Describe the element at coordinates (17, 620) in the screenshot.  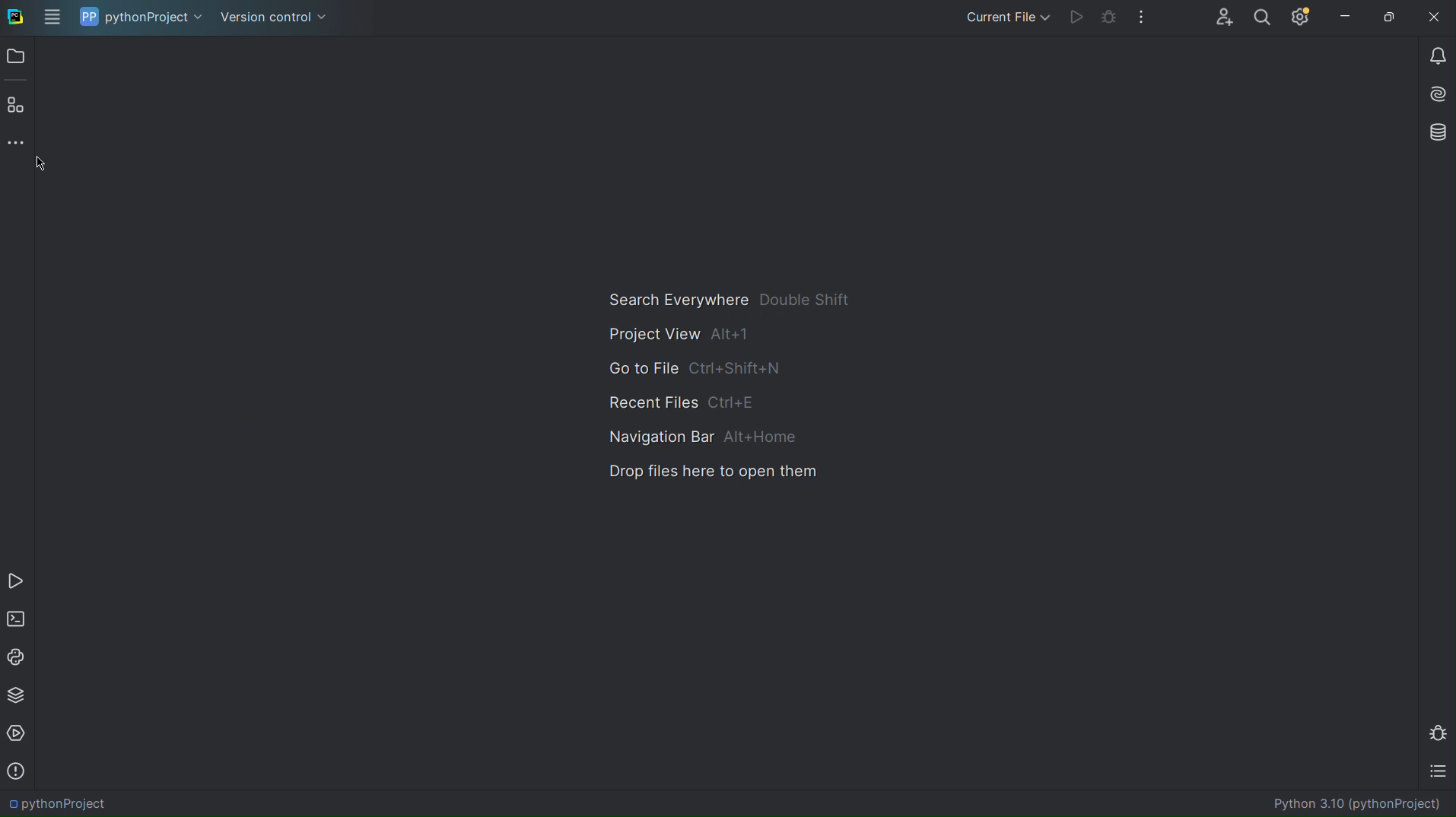
I see `Terminal` at that location.